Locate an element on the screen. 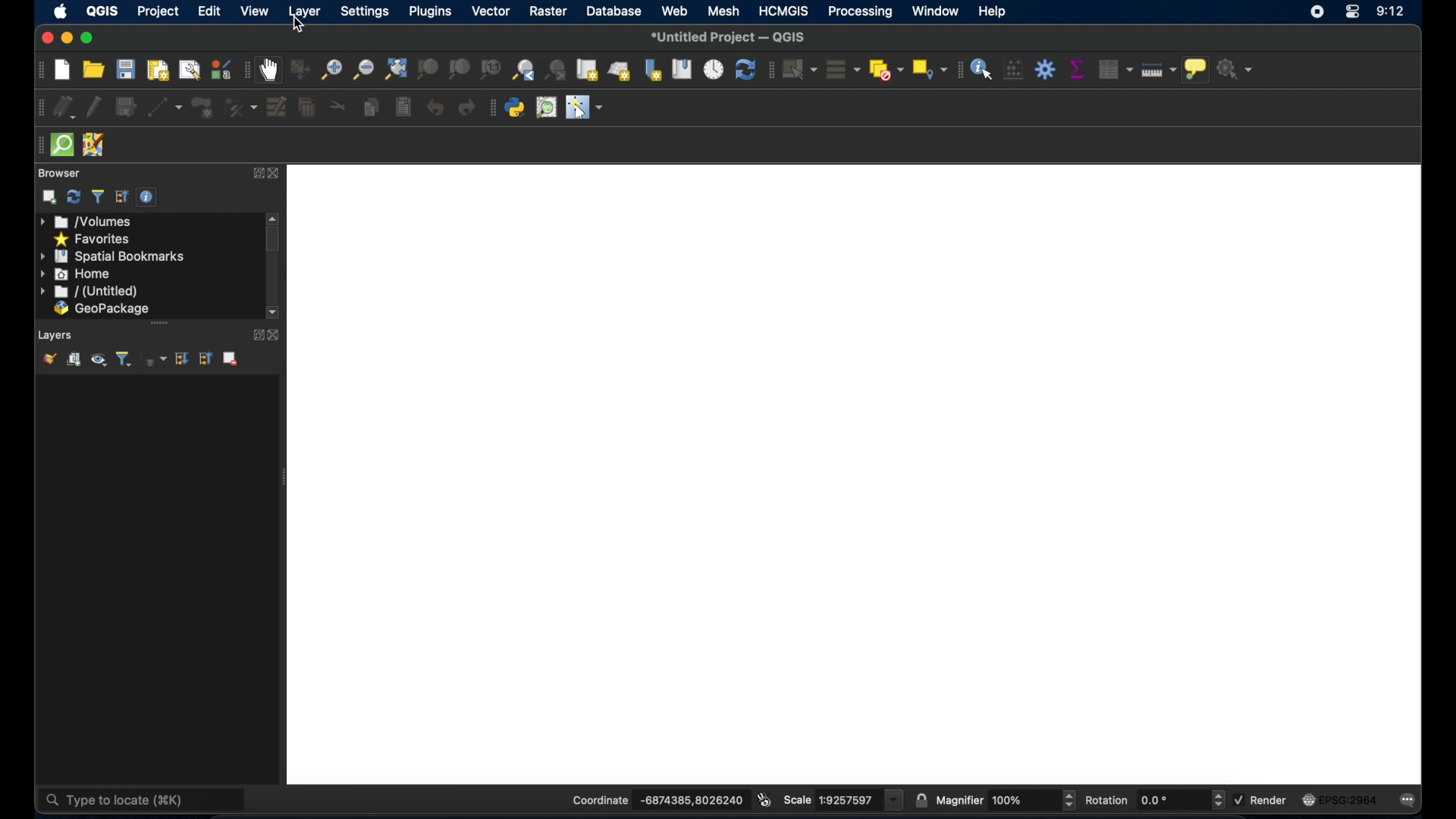  open project is located at coordinates (93, 70).